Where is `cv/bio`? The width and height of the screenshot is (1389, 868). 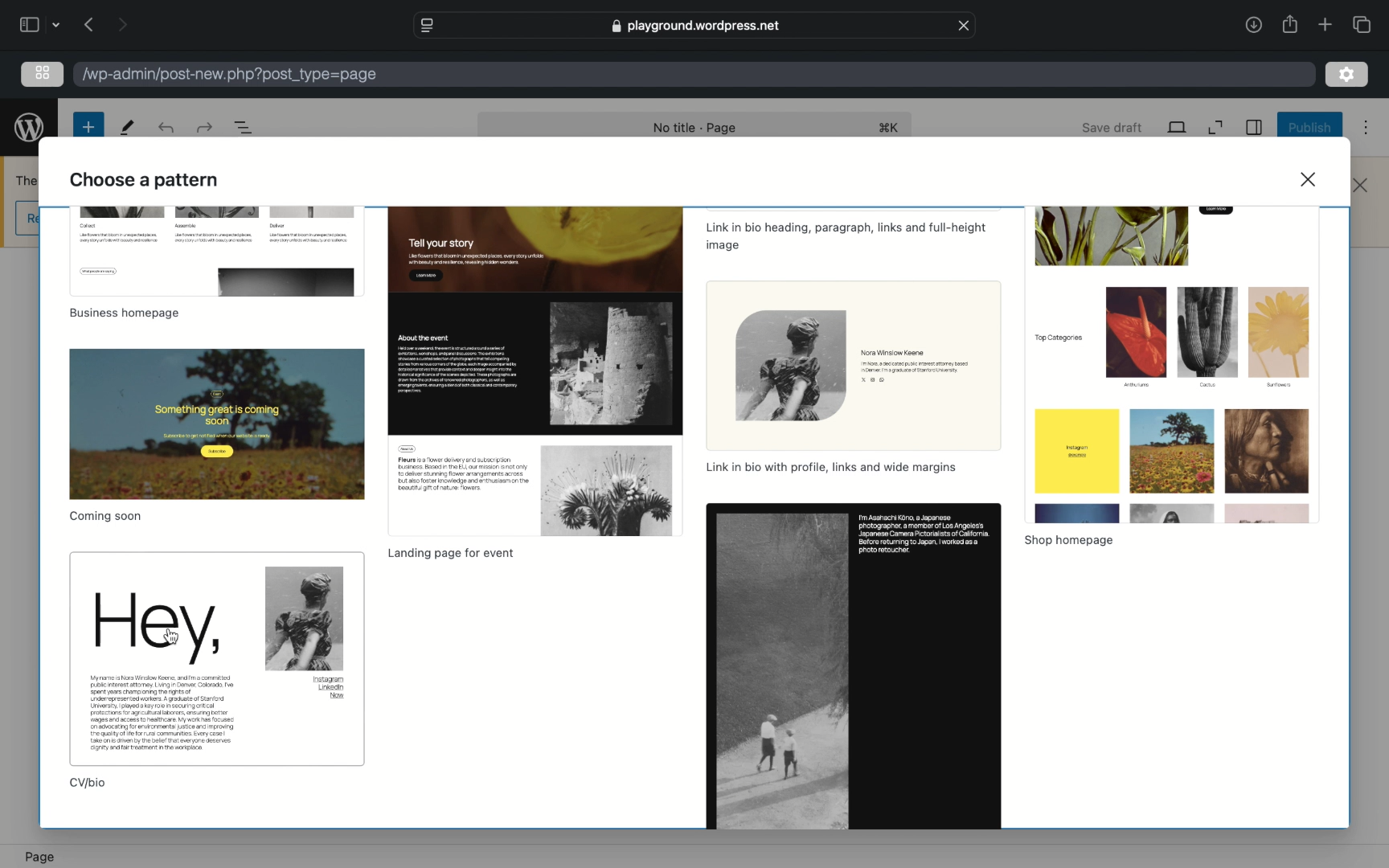 cv/bio is located at coordinates (88, 784).